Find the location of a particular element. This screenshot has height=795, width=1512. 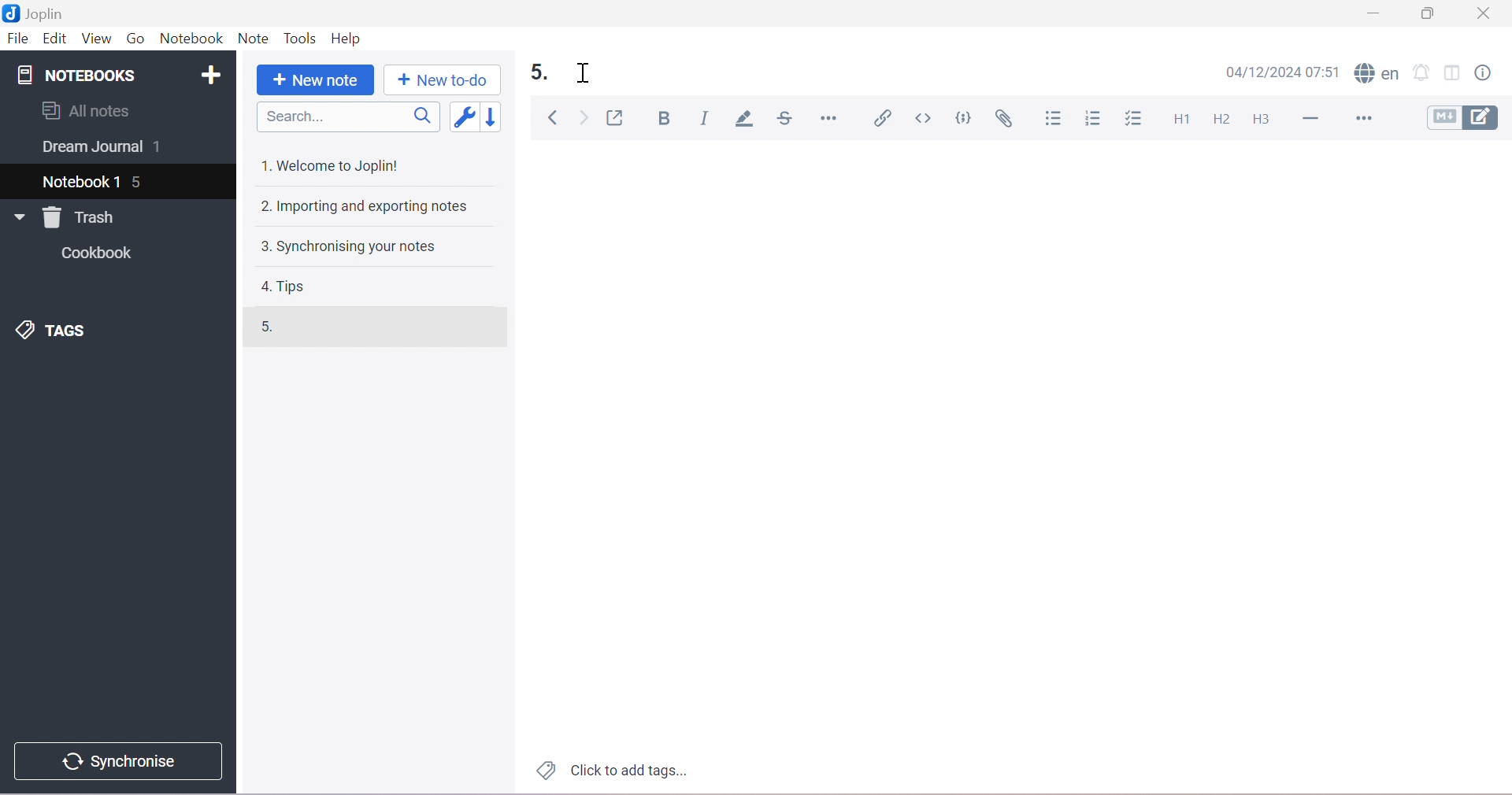

Toggle sort order field is located at coordinates (467, 119).